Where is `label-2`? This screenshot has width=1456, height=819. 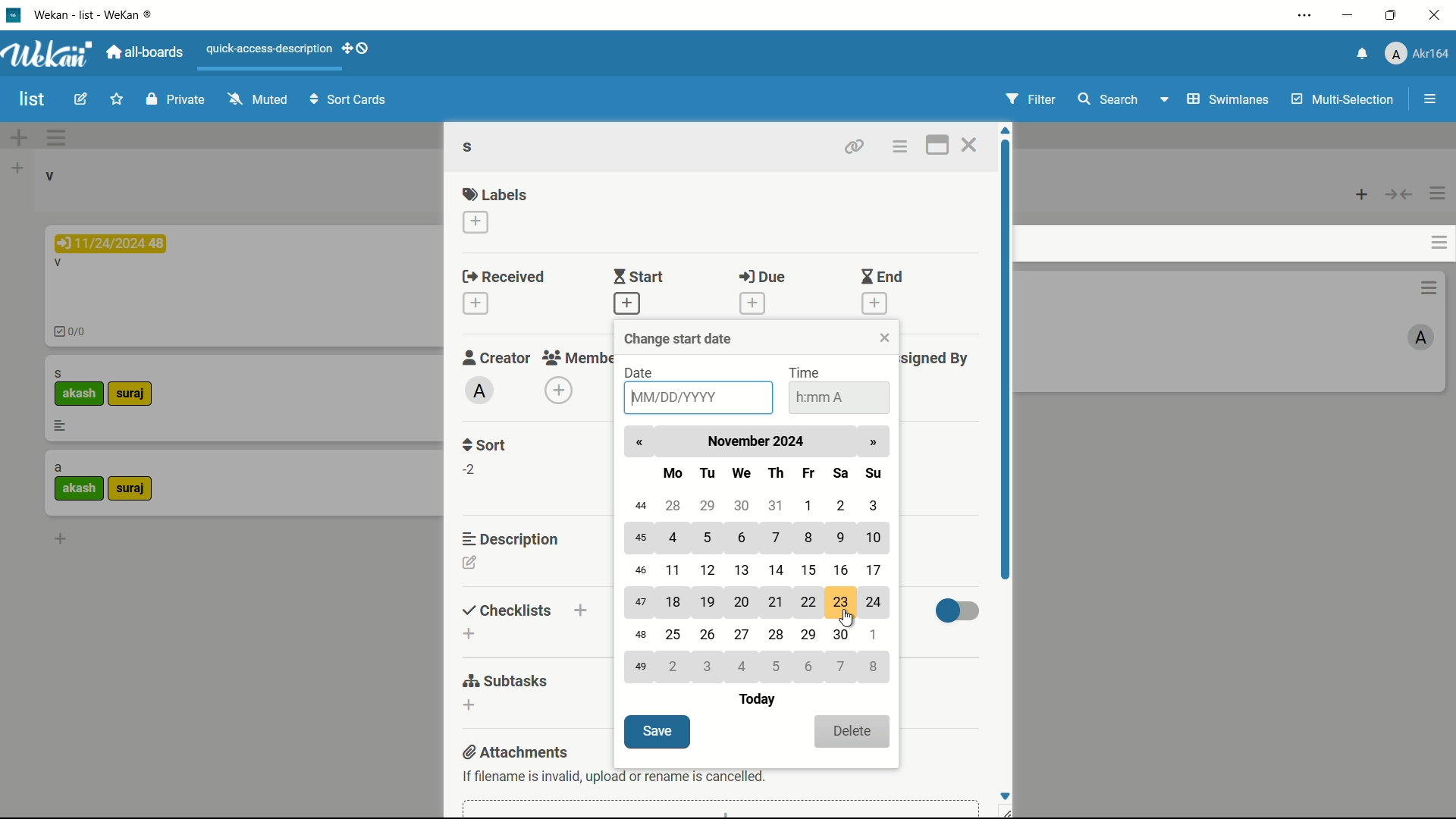
label-2 is located at coordinates (131, 394).